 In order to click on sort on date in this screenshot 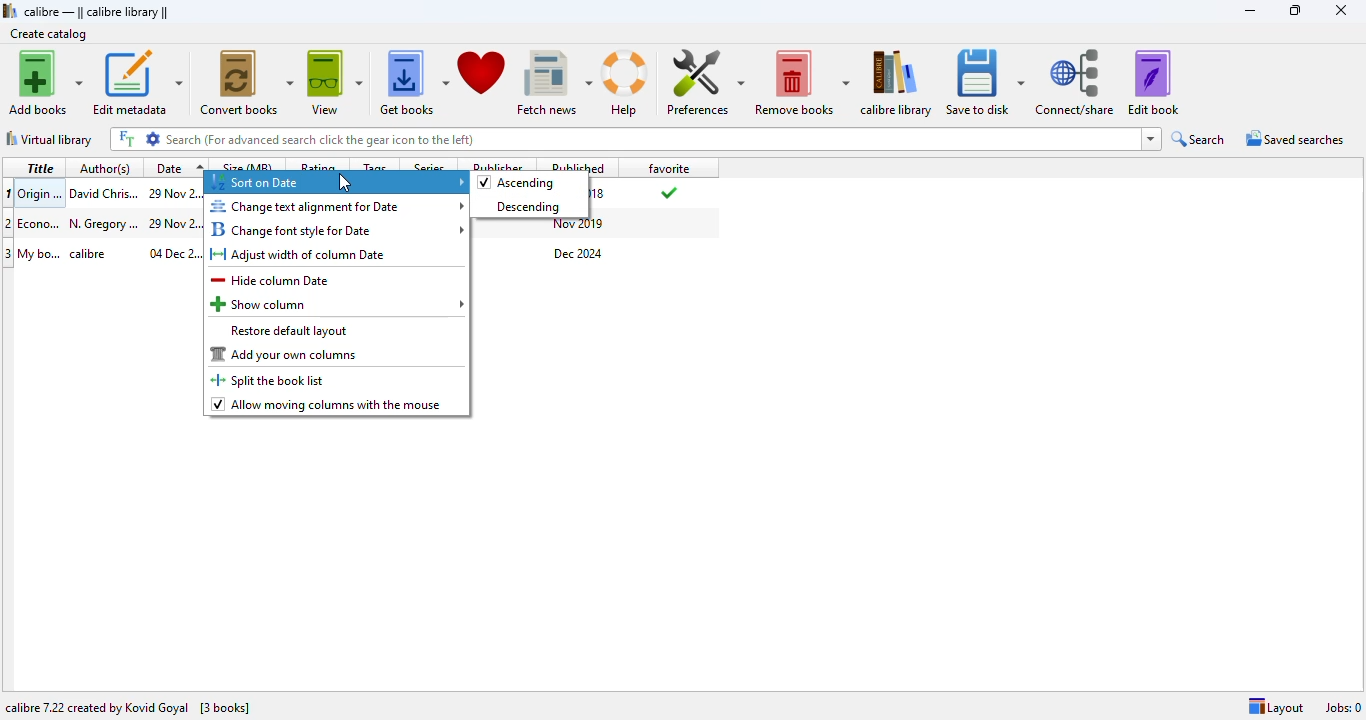, I will do `click(338, 183)`.